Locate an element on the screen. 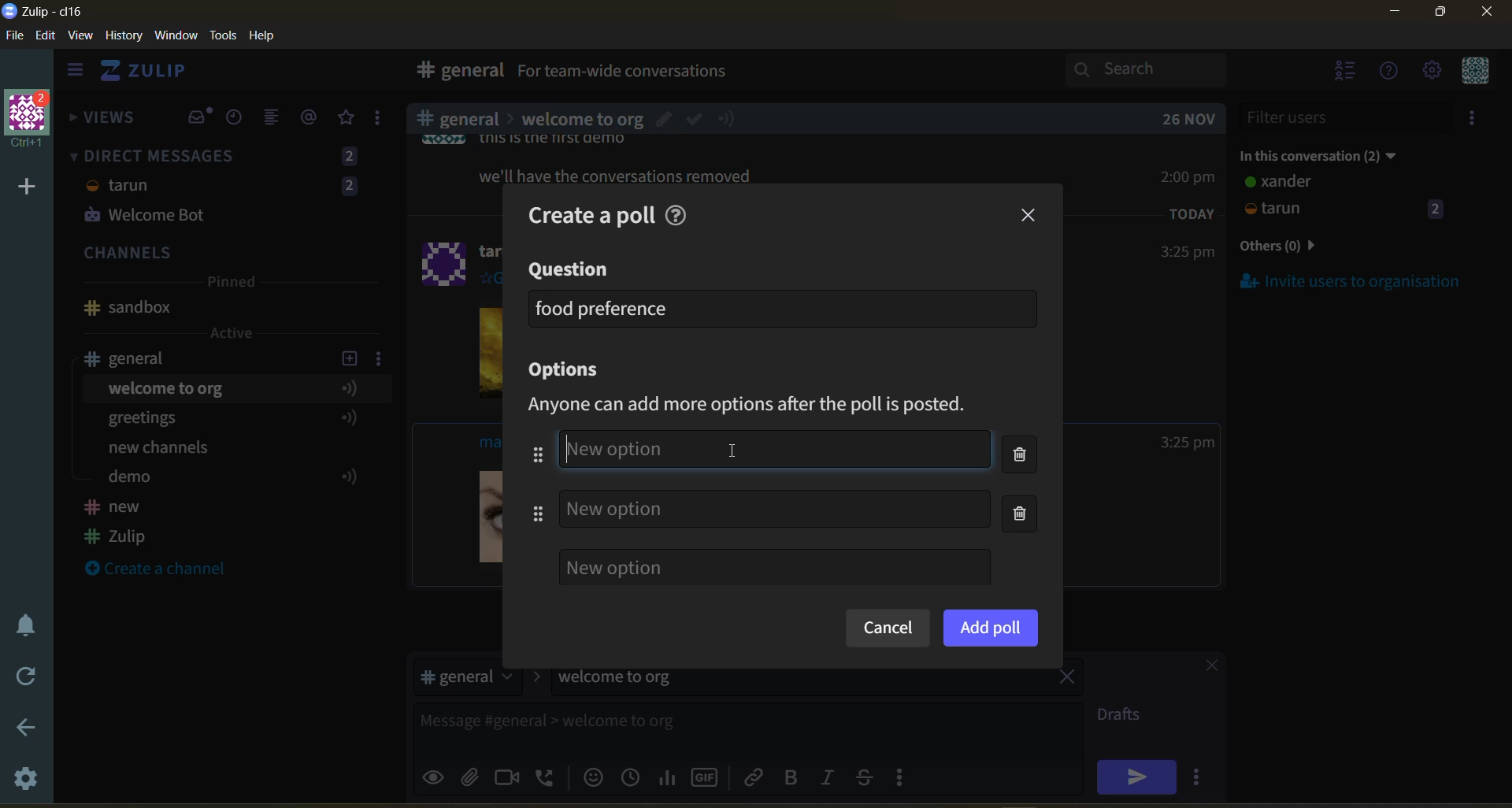  minimize is located at coordinates (1395, 14).